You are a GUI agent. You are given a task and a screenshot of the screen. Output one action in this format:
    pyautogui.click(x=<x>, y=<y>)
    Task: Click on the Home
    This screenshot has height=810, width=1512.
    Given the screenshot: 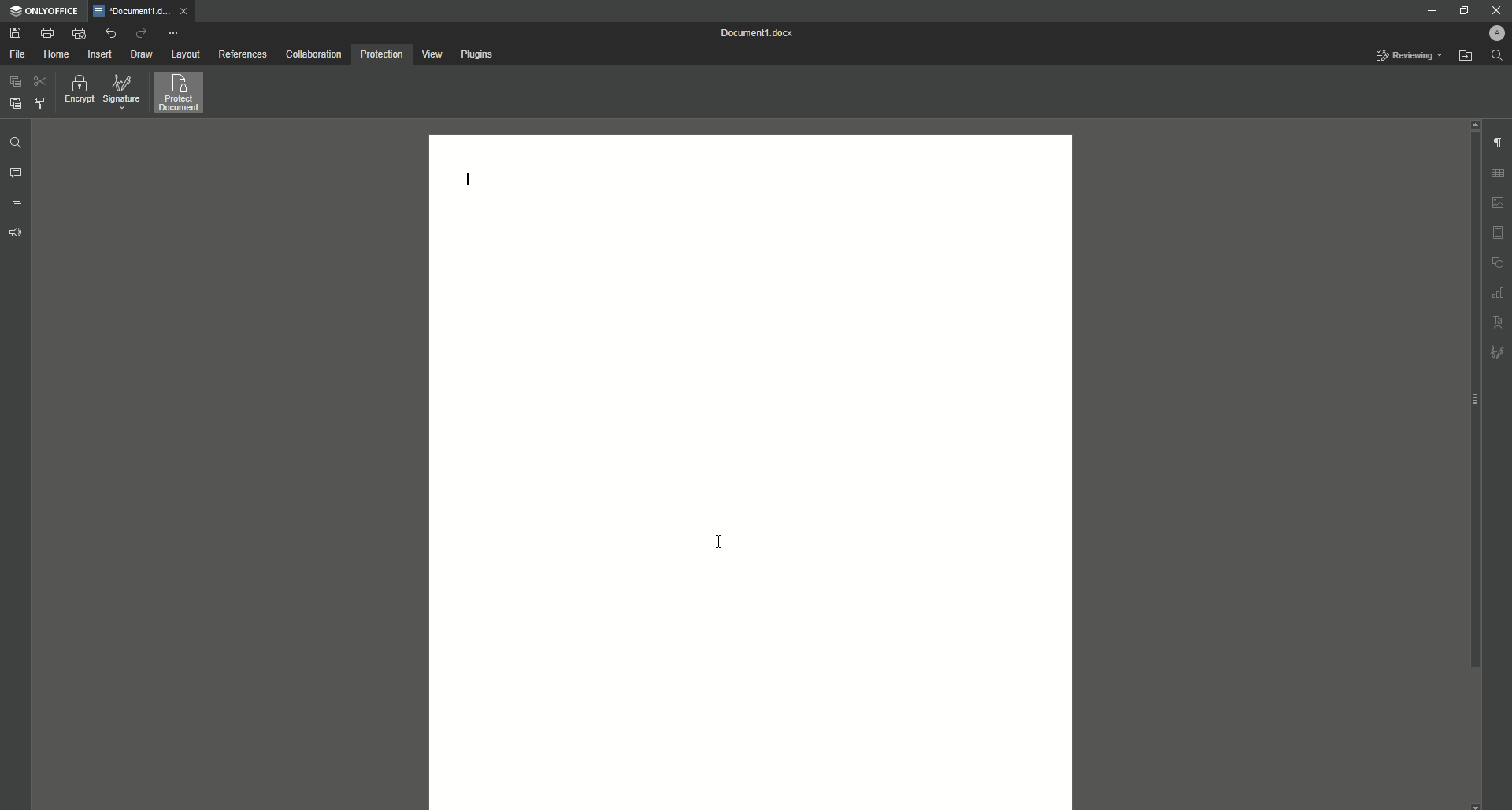 What is the action you would take?
    pyautogui.click(x=56, y=55)
    